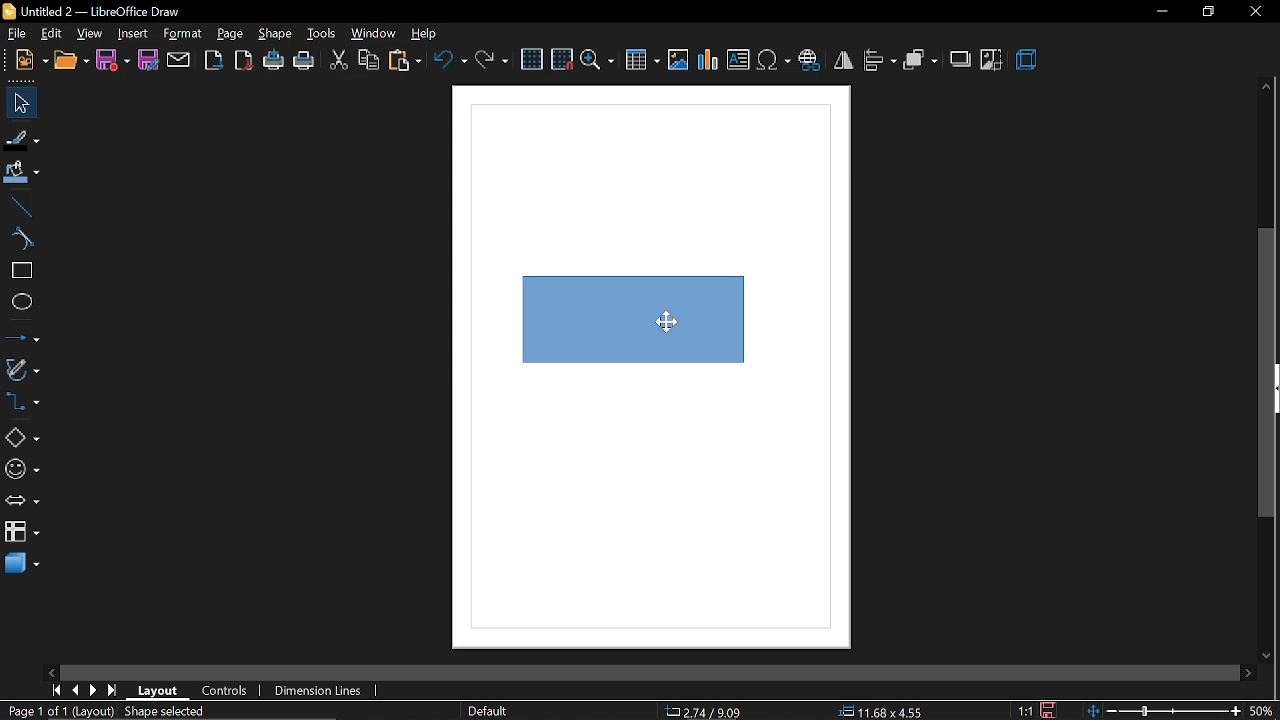 The height and width of the screenshot is (720, 1280). What do you see at coordinates (19, 103) in the screenshot?
I see `select` at bounding box center [19, 103].